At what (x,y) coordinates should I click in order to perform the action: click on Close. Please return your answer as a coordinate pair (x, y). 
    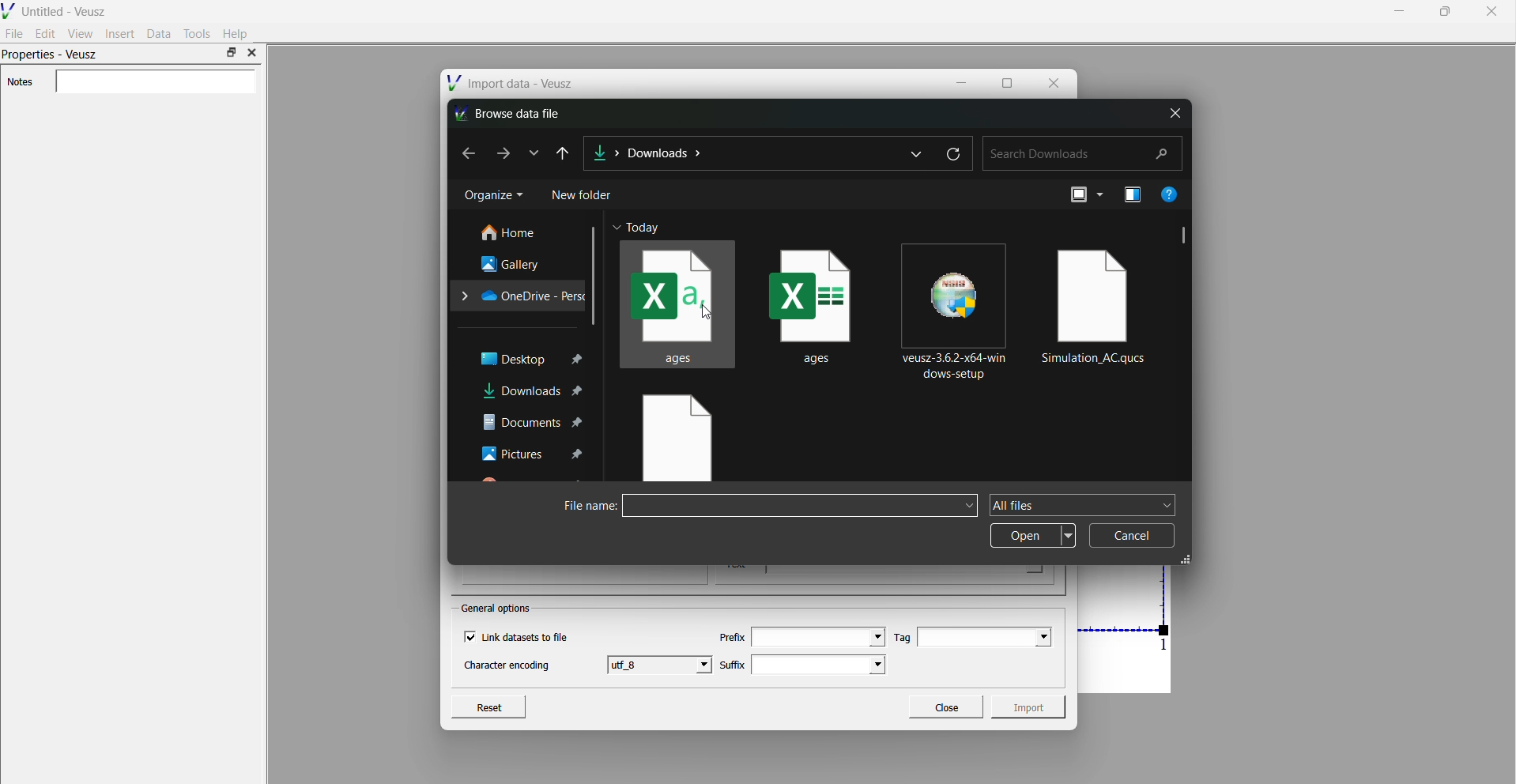
    Looking at the image, I should click on (945, 705).